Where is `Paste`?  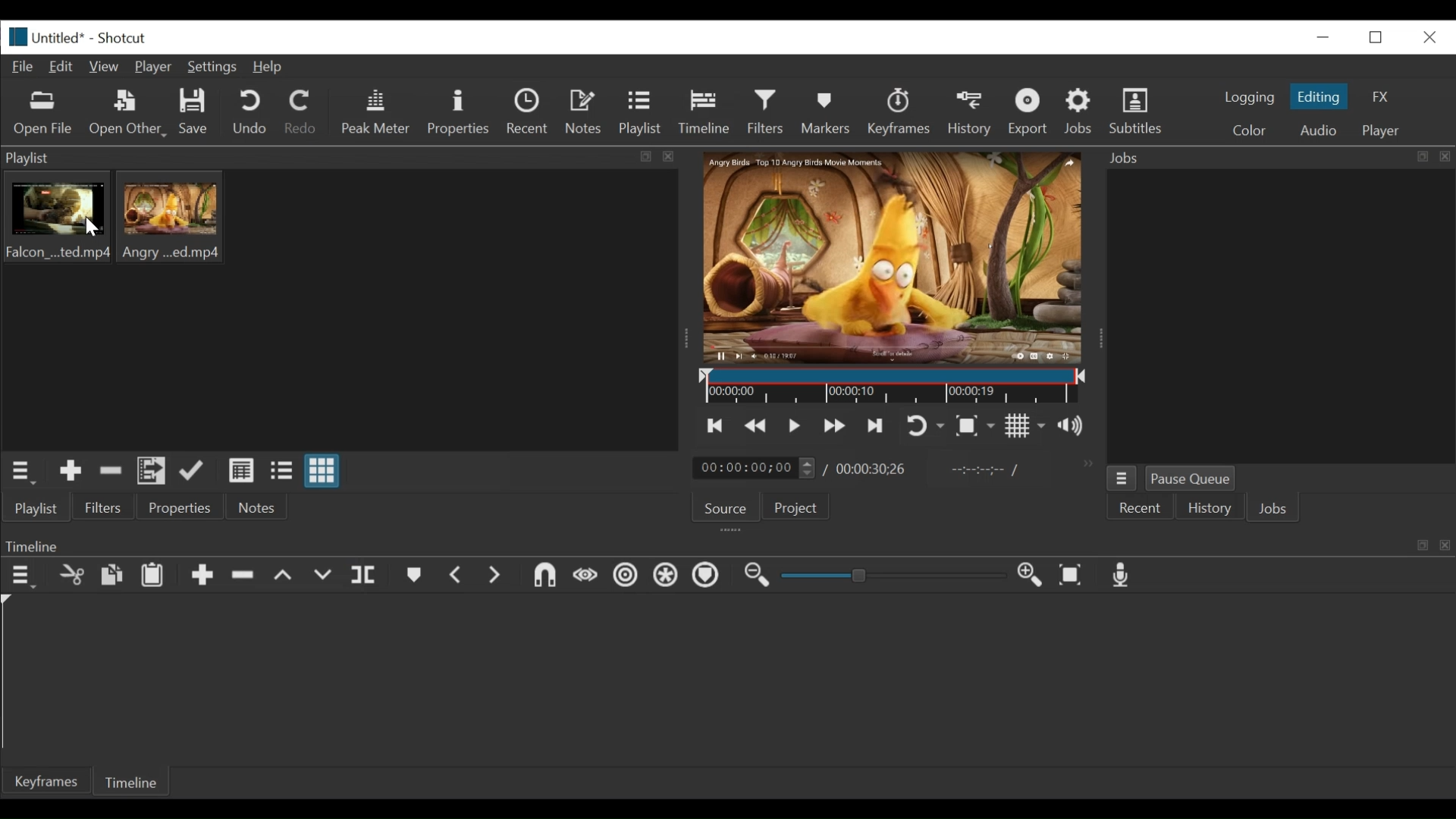 Paste is located at coordinates (158, 577).